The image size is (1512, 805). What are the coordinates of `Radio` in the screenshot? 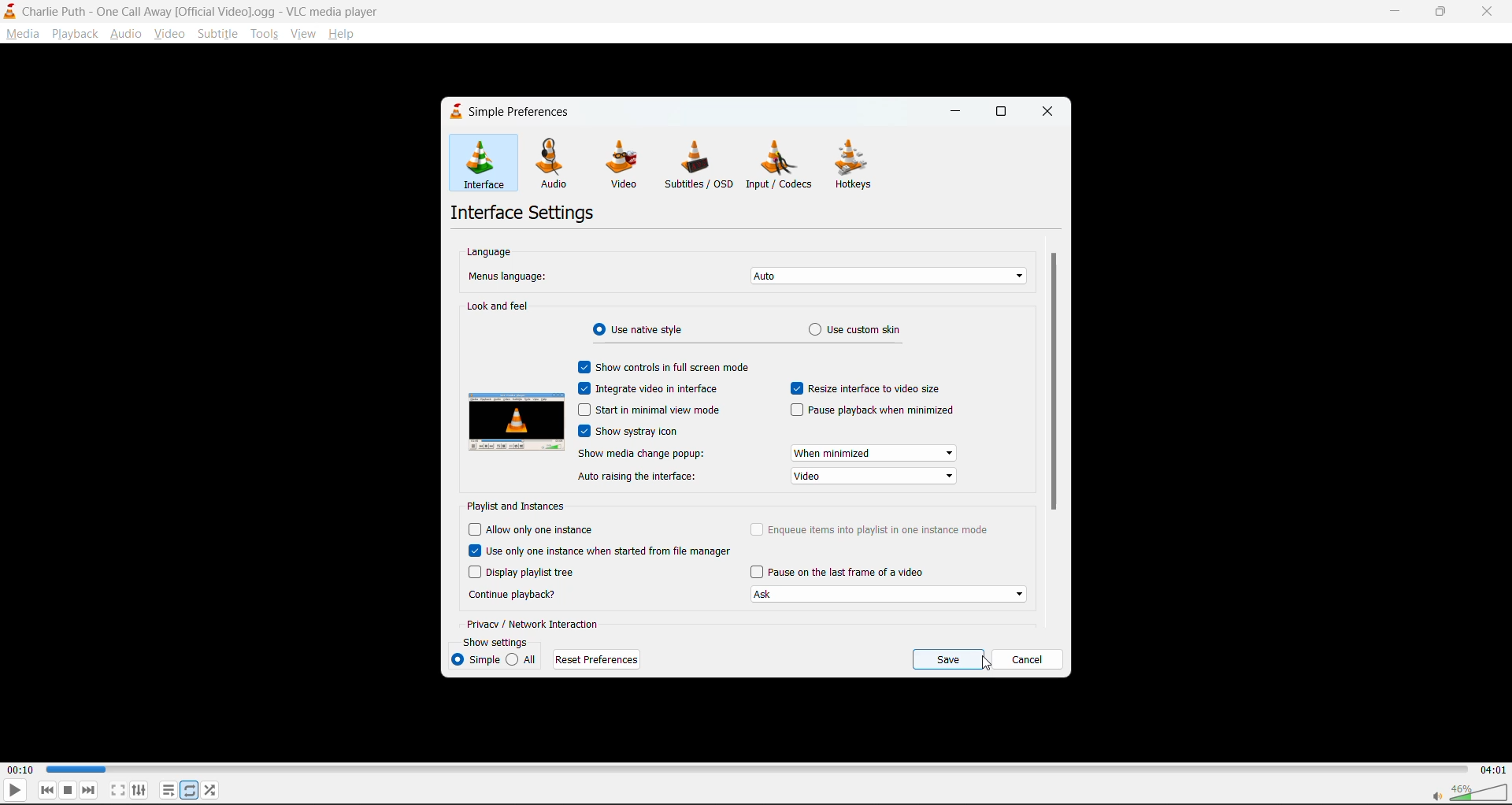 It's located at (595, 329).